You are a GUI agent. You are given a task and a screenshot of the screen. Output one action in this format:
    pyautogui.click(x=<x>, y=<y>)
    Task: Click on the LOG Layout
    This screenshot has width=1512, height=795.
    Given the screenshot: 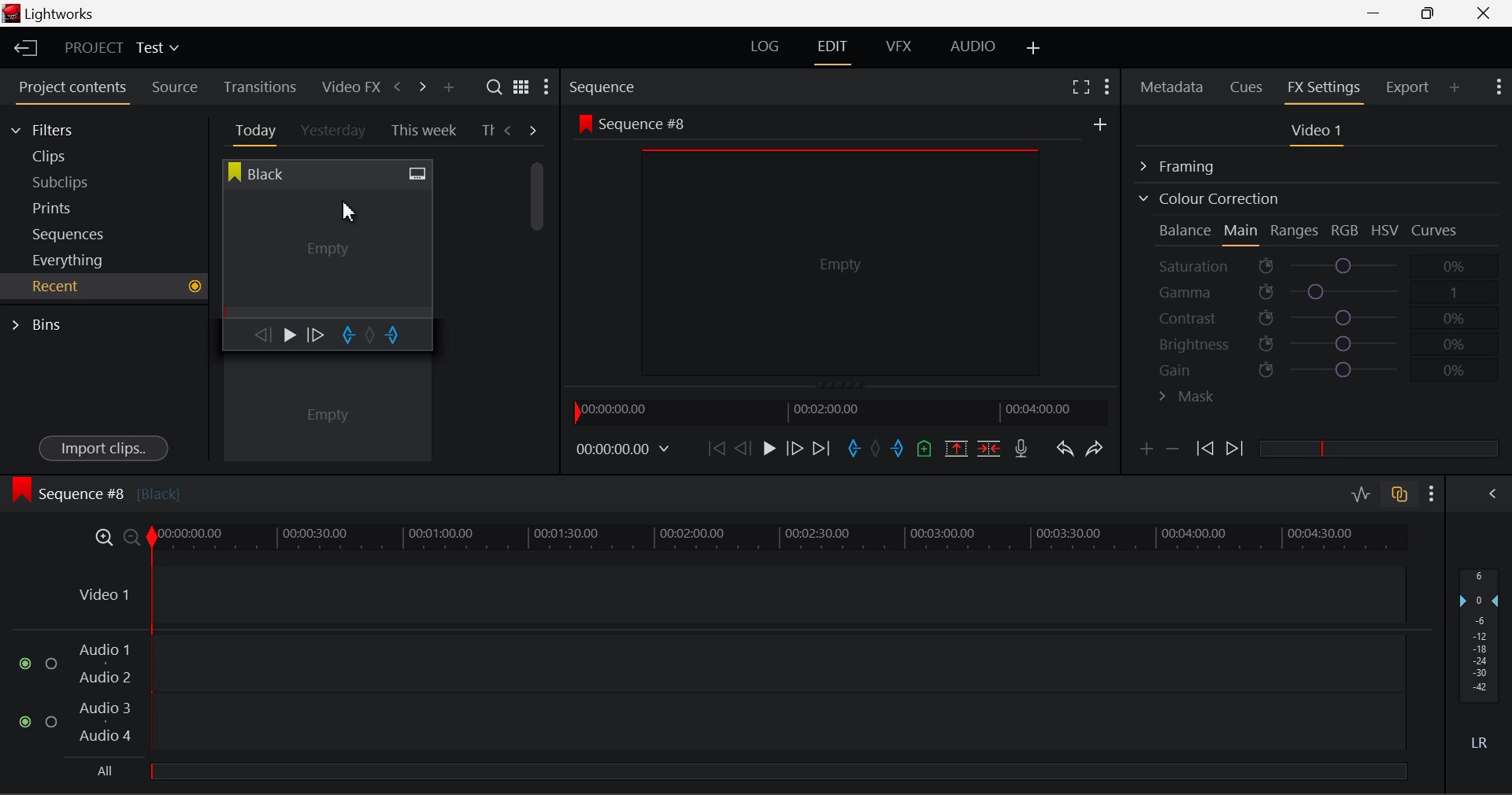 What is the action you would take?
    pyautogui.click(x=764, y=46)
    